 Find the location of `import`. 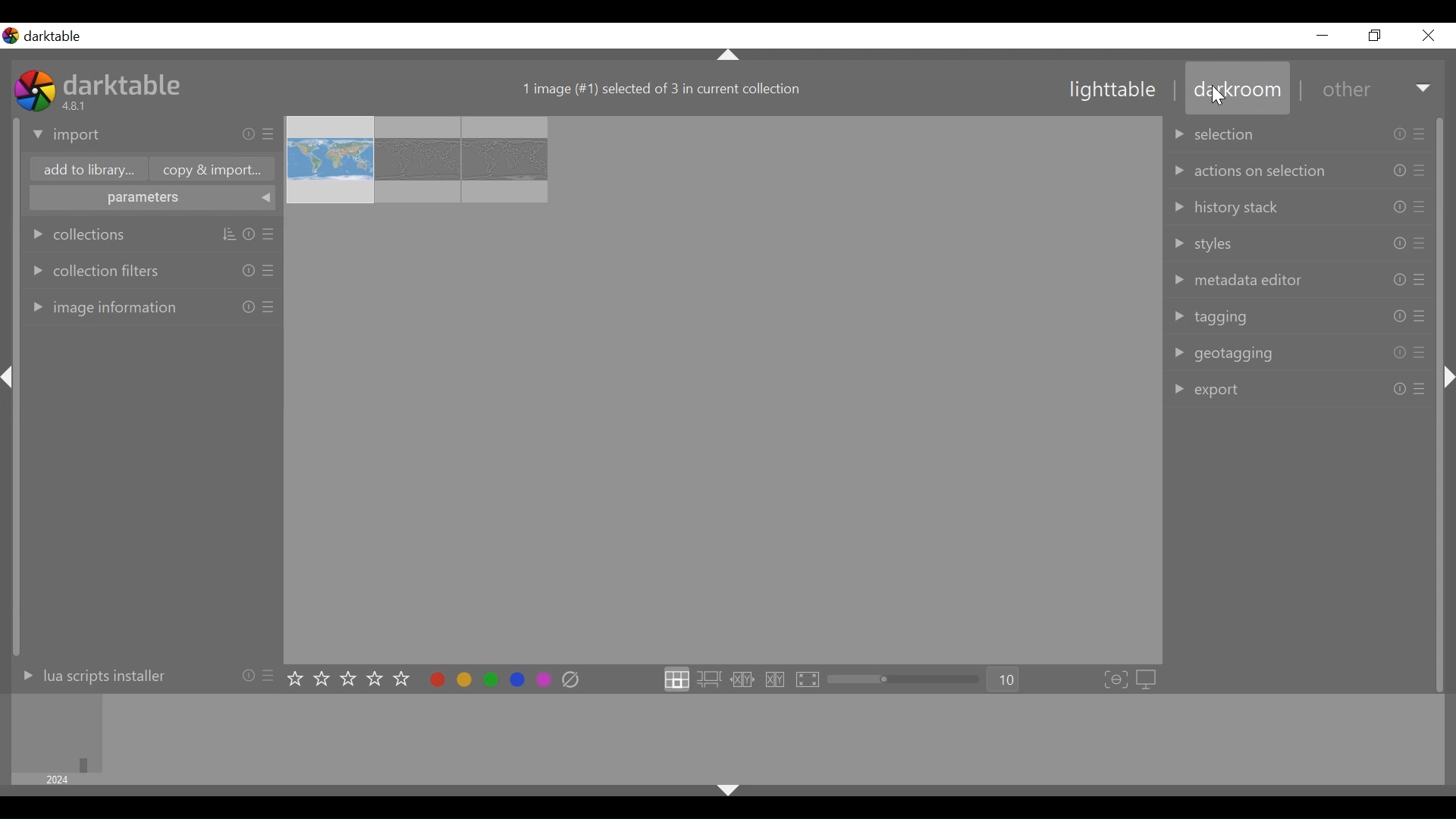

import is located at coordinates (146, 135).